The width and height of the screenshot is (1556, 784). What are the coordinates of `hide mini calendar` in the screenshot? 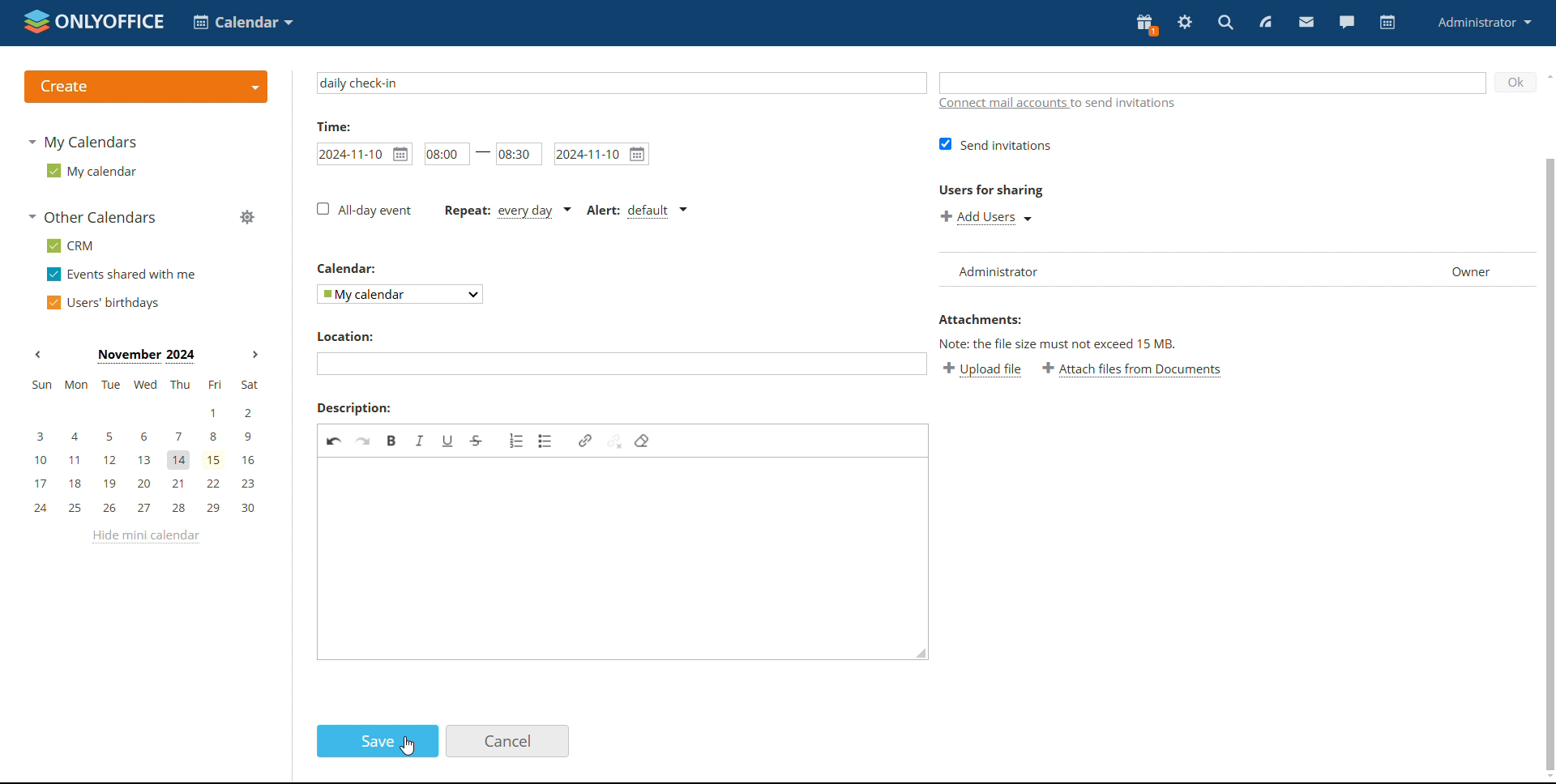 It's located at (143, 537).